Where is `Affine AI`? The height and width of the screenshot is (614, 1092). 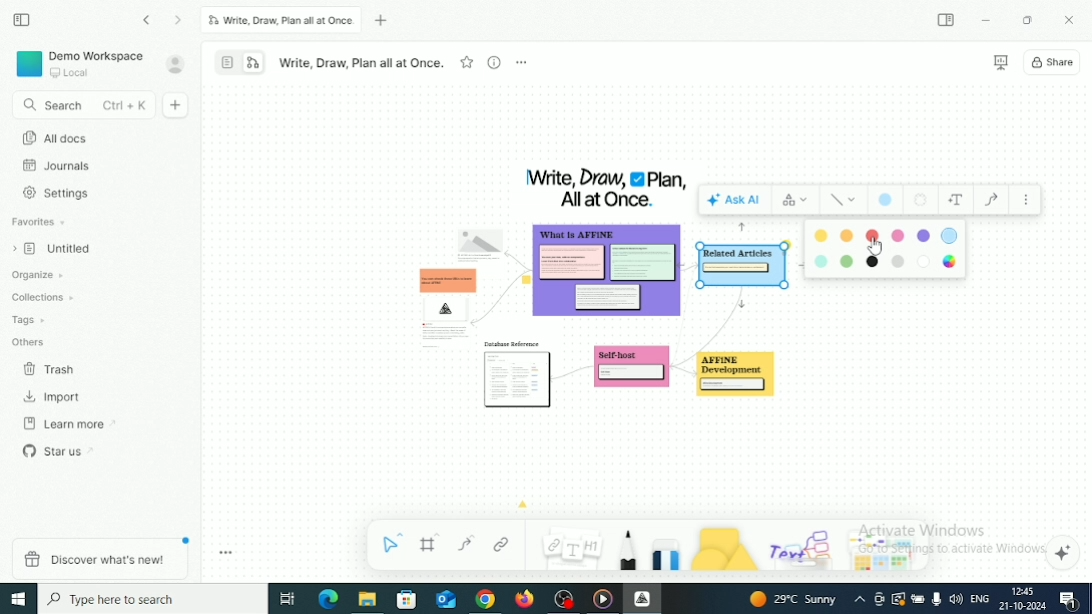
Affine AI is located at coordinates (1064, 553).